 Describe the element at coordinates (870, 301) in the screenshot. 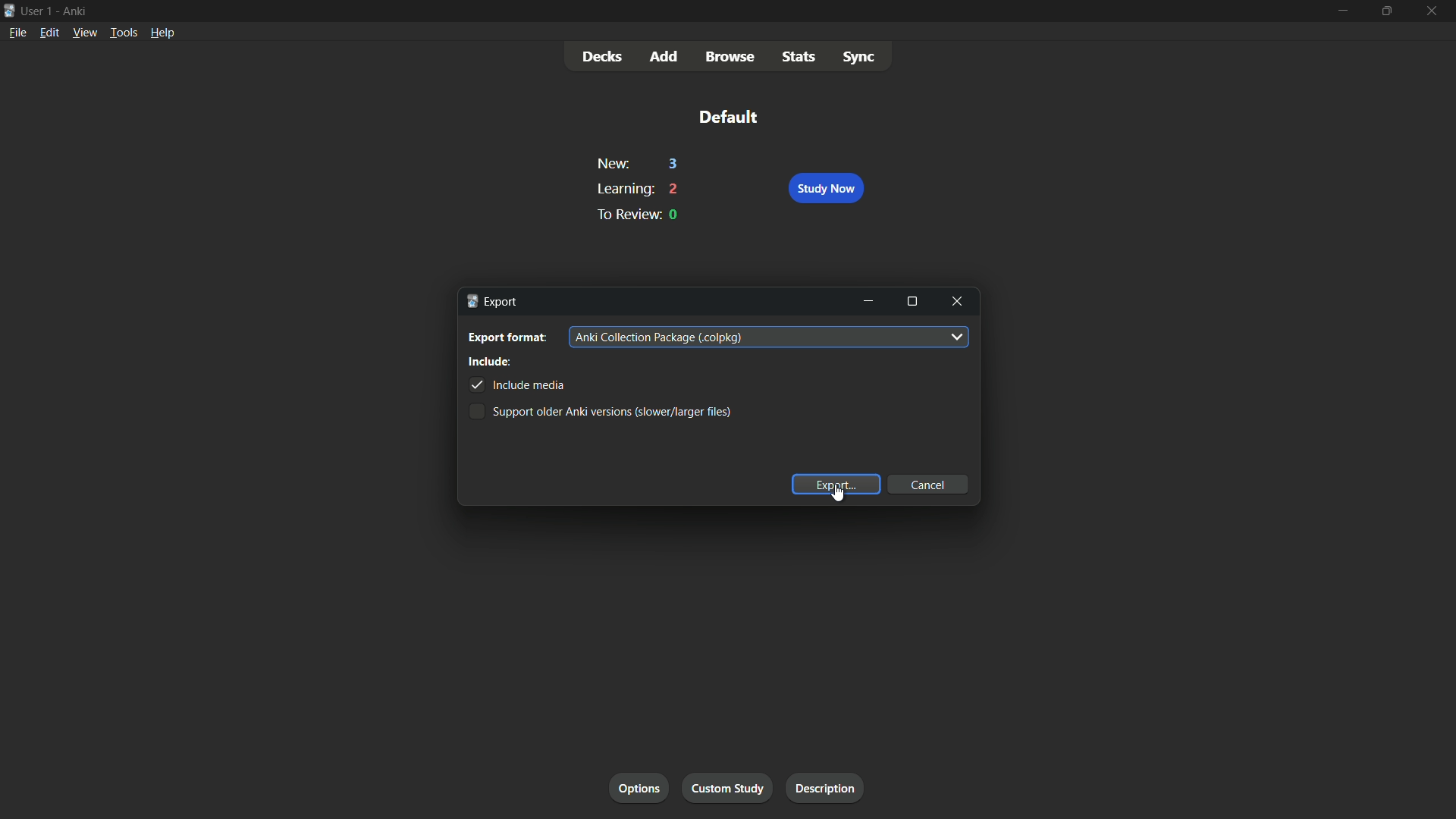

I see `minimize` at that location.